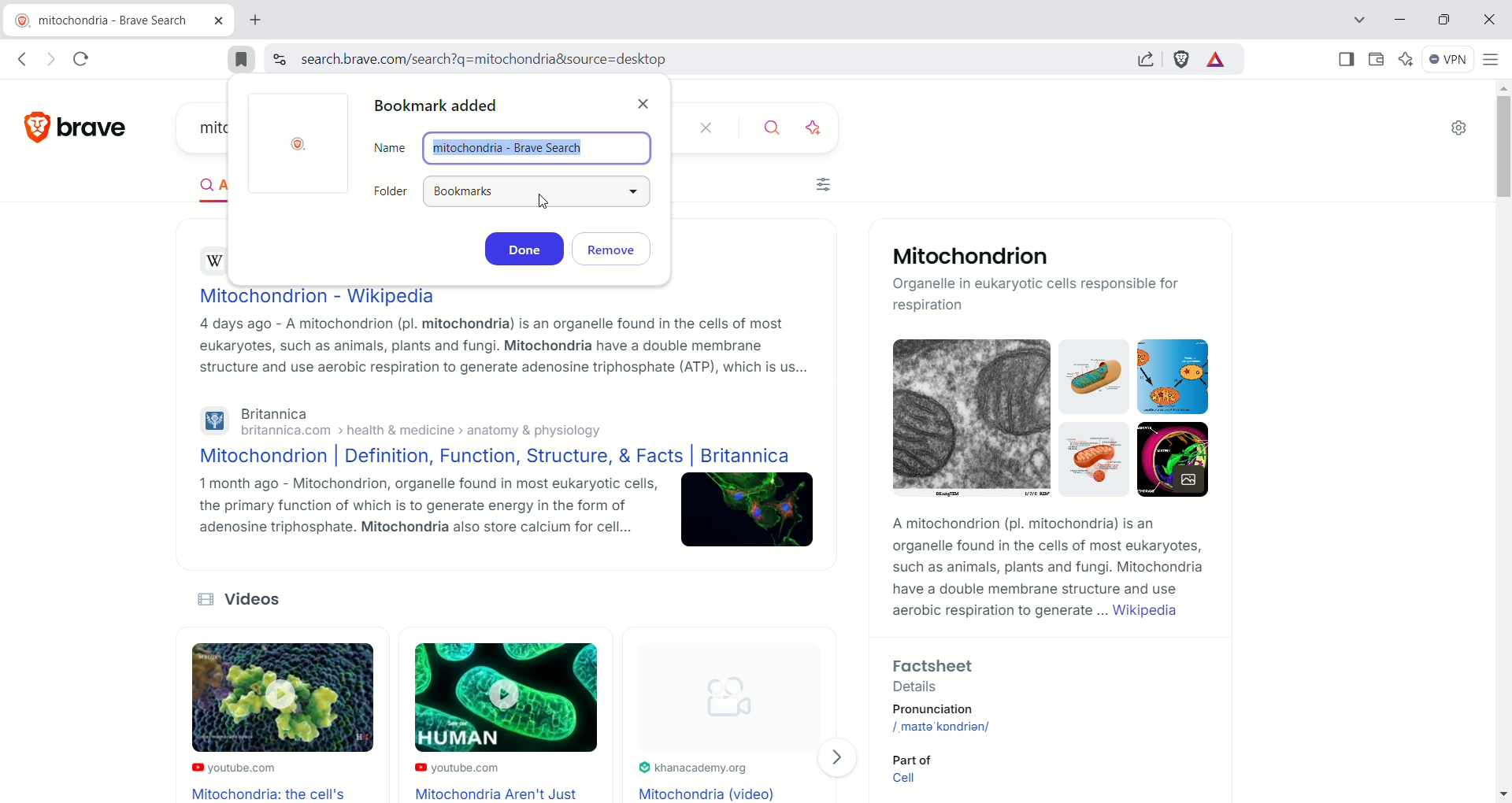 This screenshot has height=803, width=1512. What do you see at coordinates (51, 58) in the screenshot?
I see `go forward` at bounding box center [51, 58].